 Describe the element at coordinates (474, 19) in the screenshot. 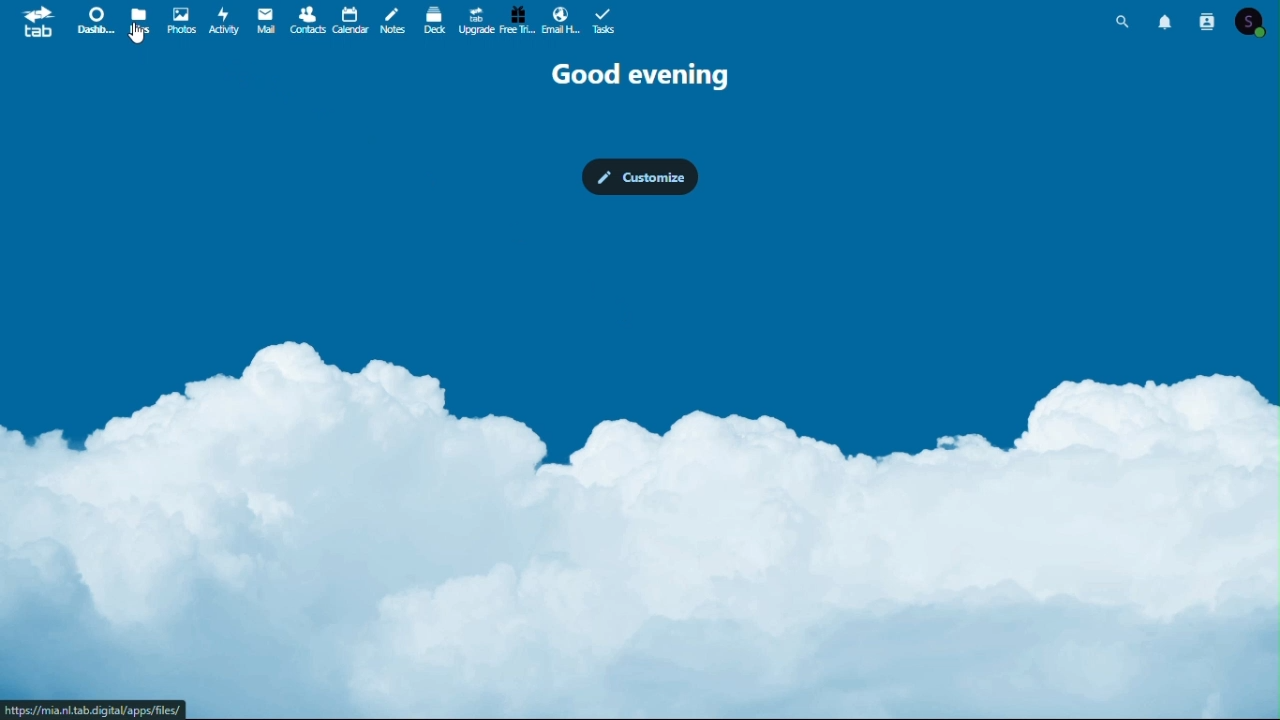

I see `upgrade` at that location.